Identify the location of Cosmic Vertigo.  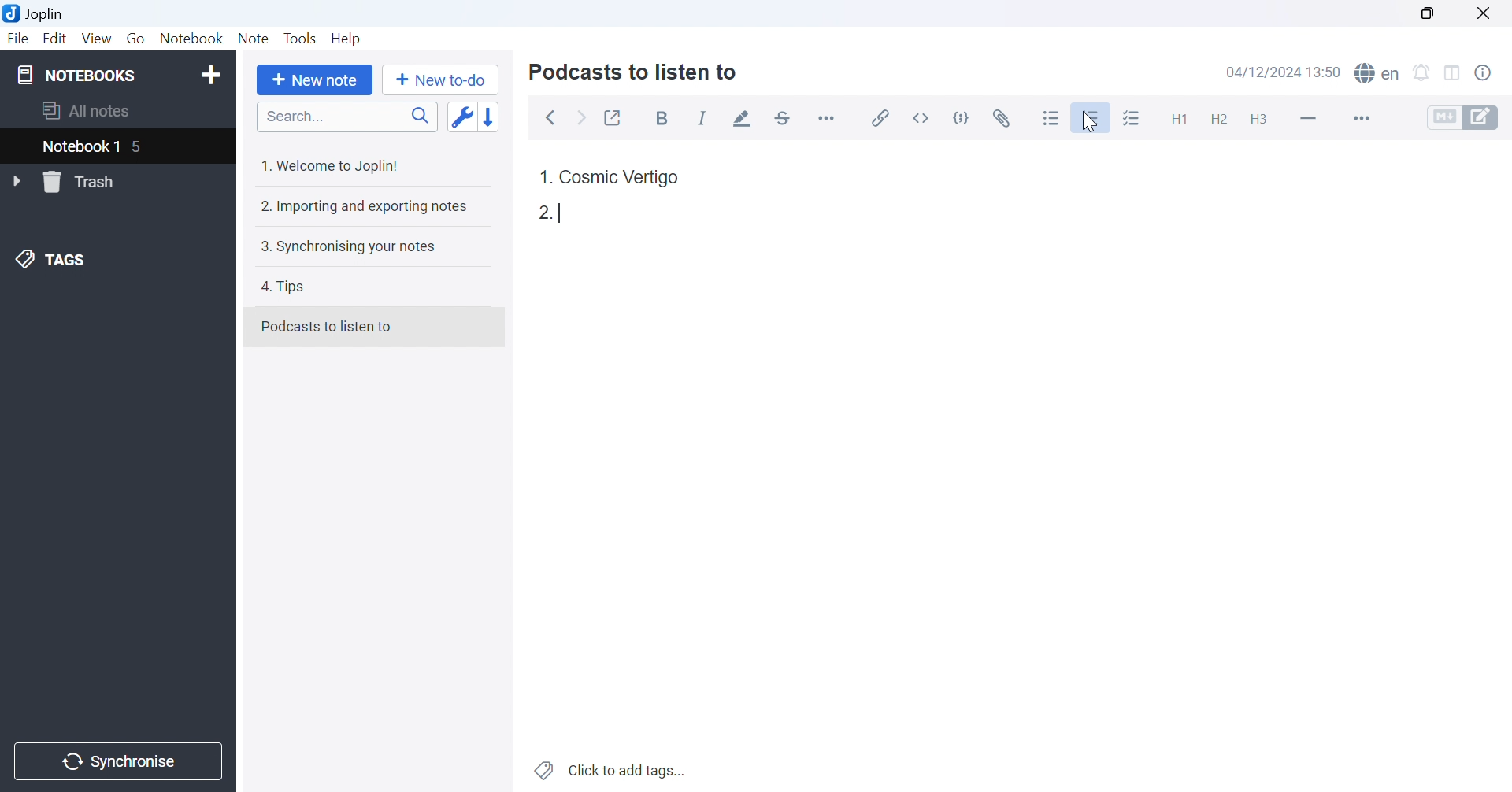
(621, 178).